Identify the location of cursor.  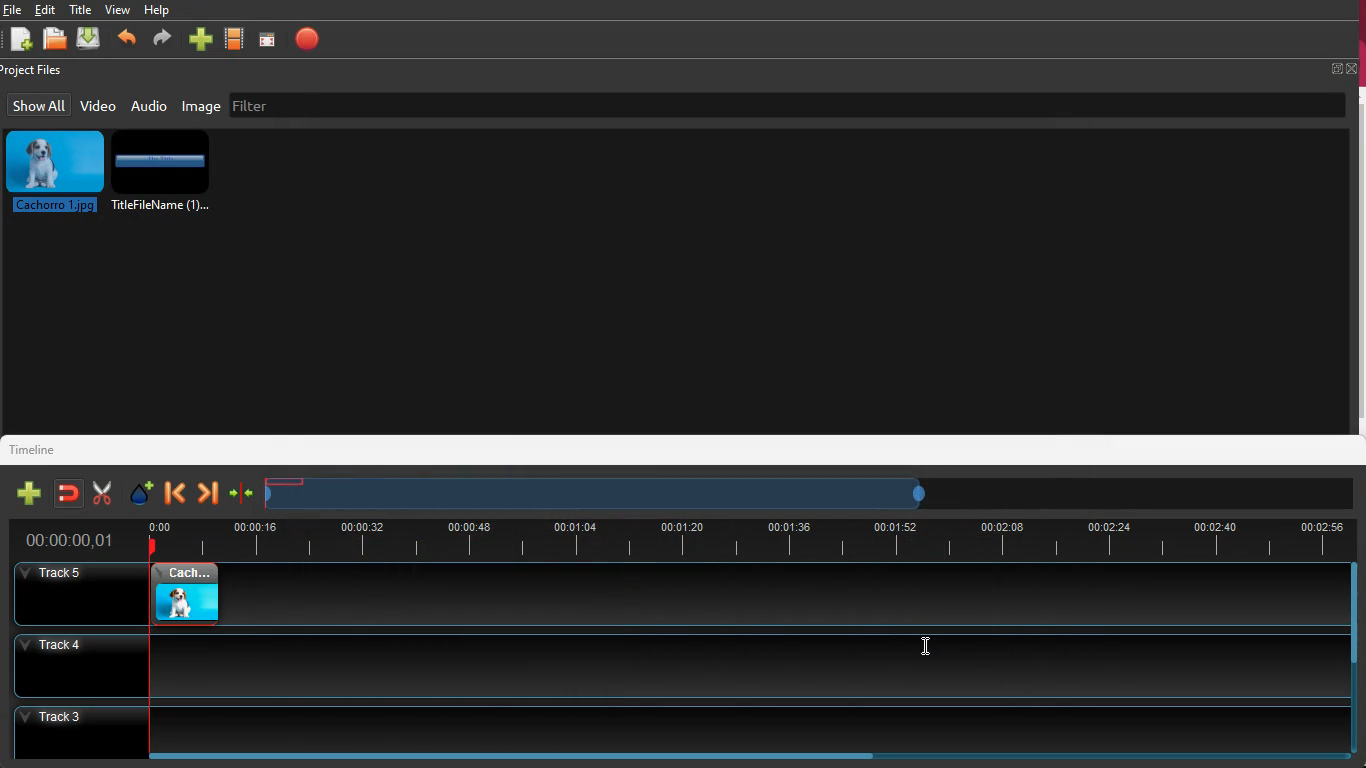
(928, 648).